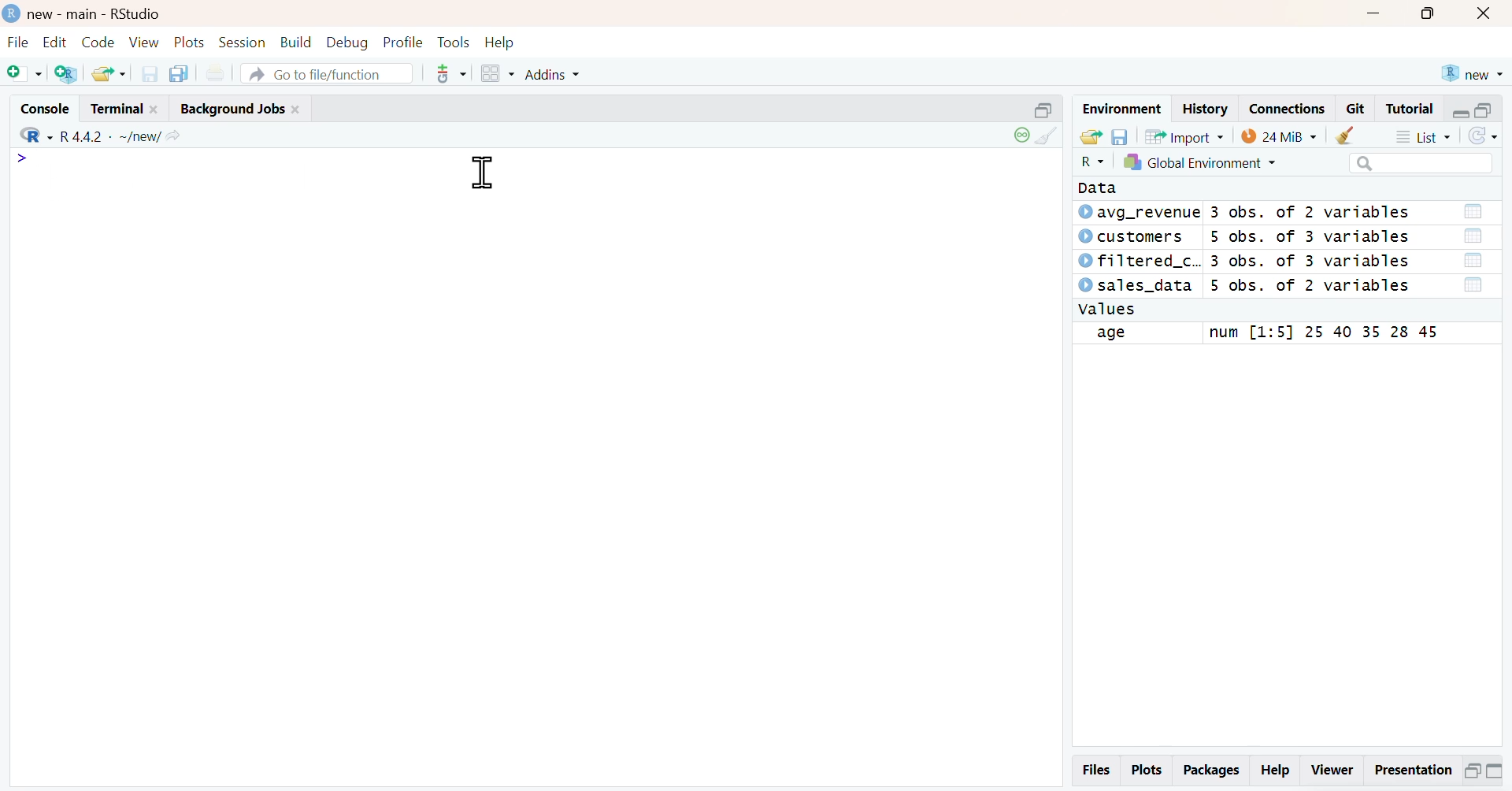 Image resolution: width=1512 pixels, height=791 pixels. I want to click on Create a Project, so click(65, 73).